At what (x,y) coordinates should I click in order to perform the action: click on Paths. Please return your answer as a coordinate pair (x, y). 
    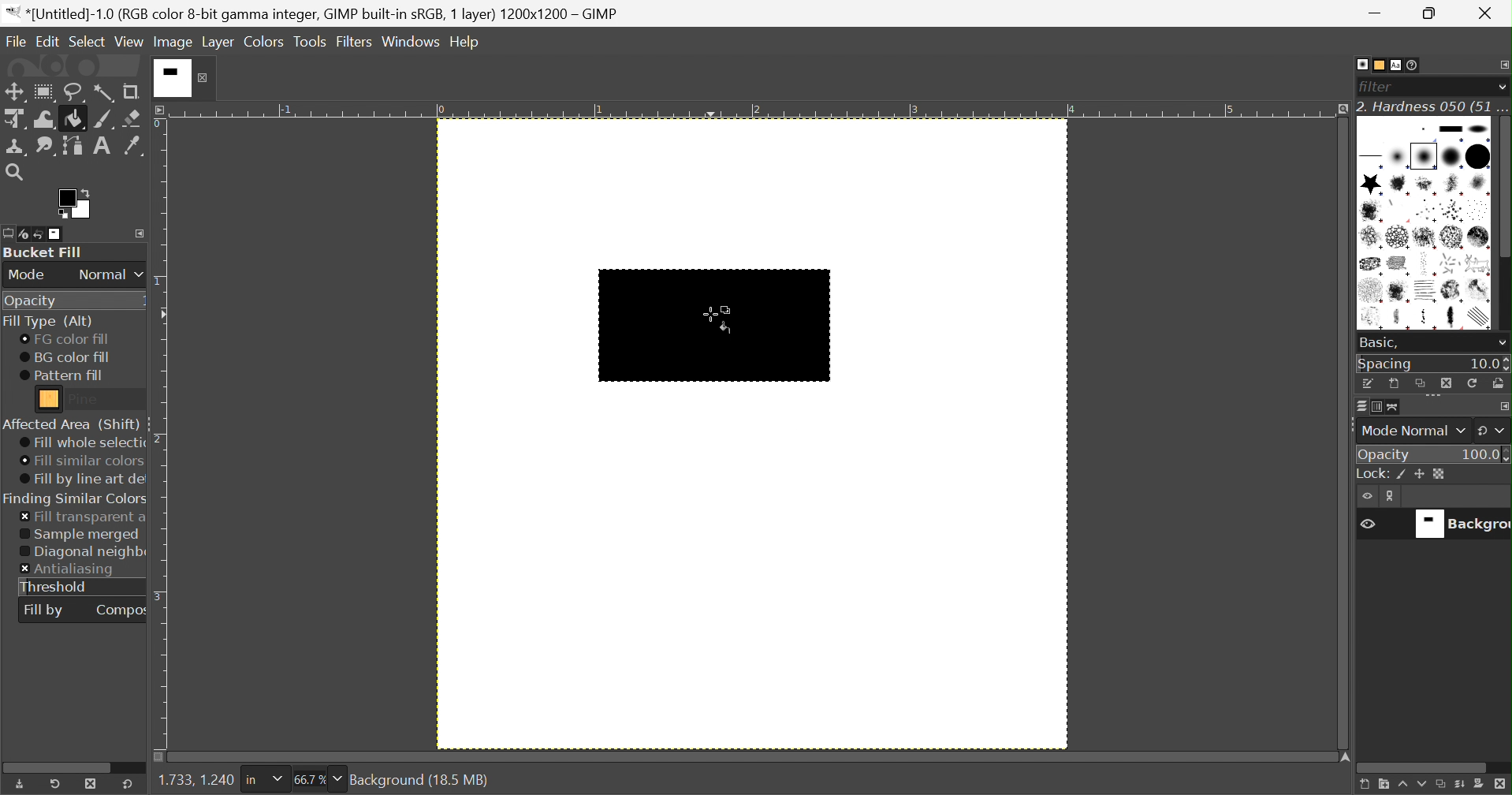
    Looking at the image, I should click on (1393, 407).